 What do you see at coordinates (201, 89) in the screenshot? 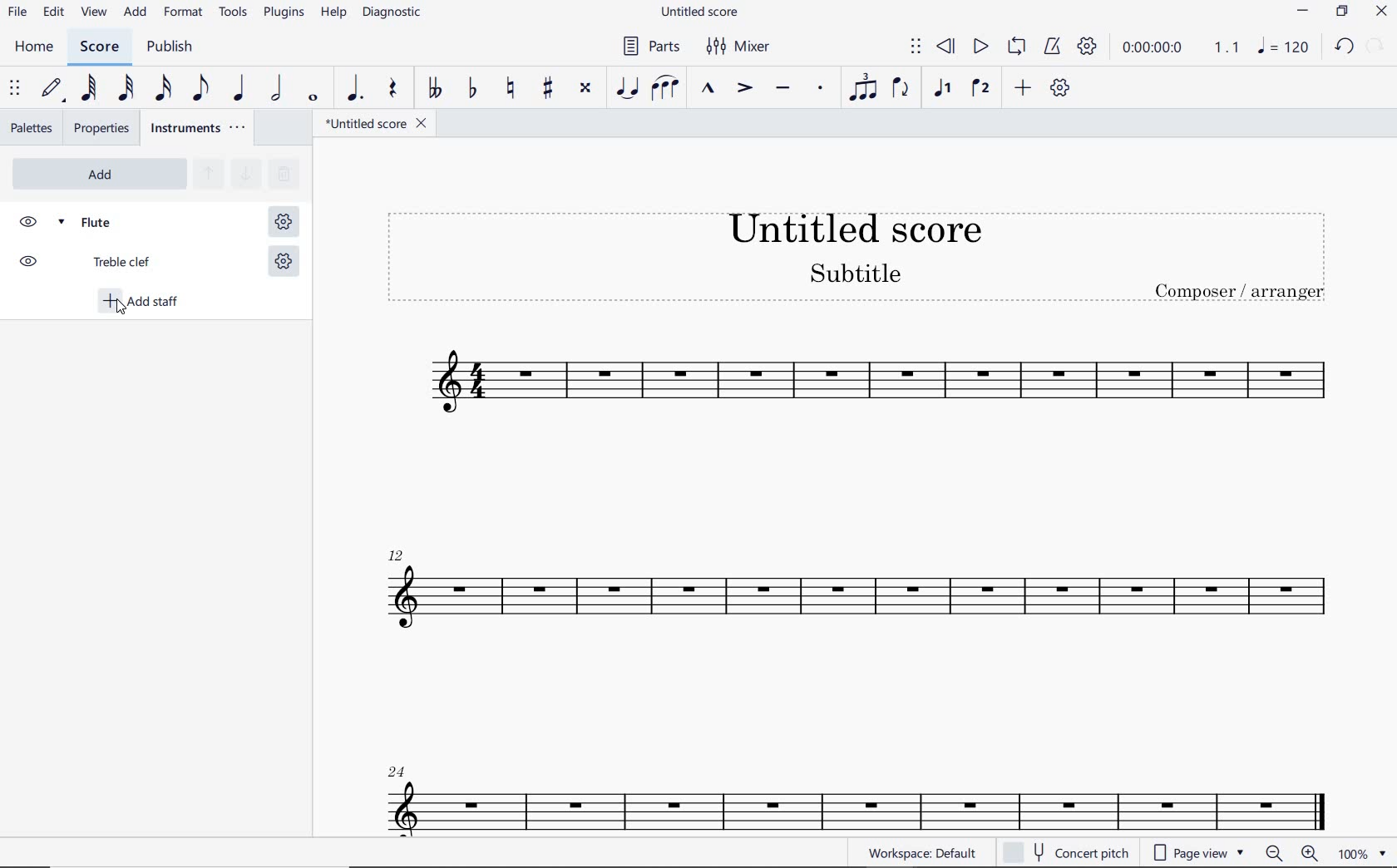
I see `EIGHTH NOTE` at bounding box center [201, 89].